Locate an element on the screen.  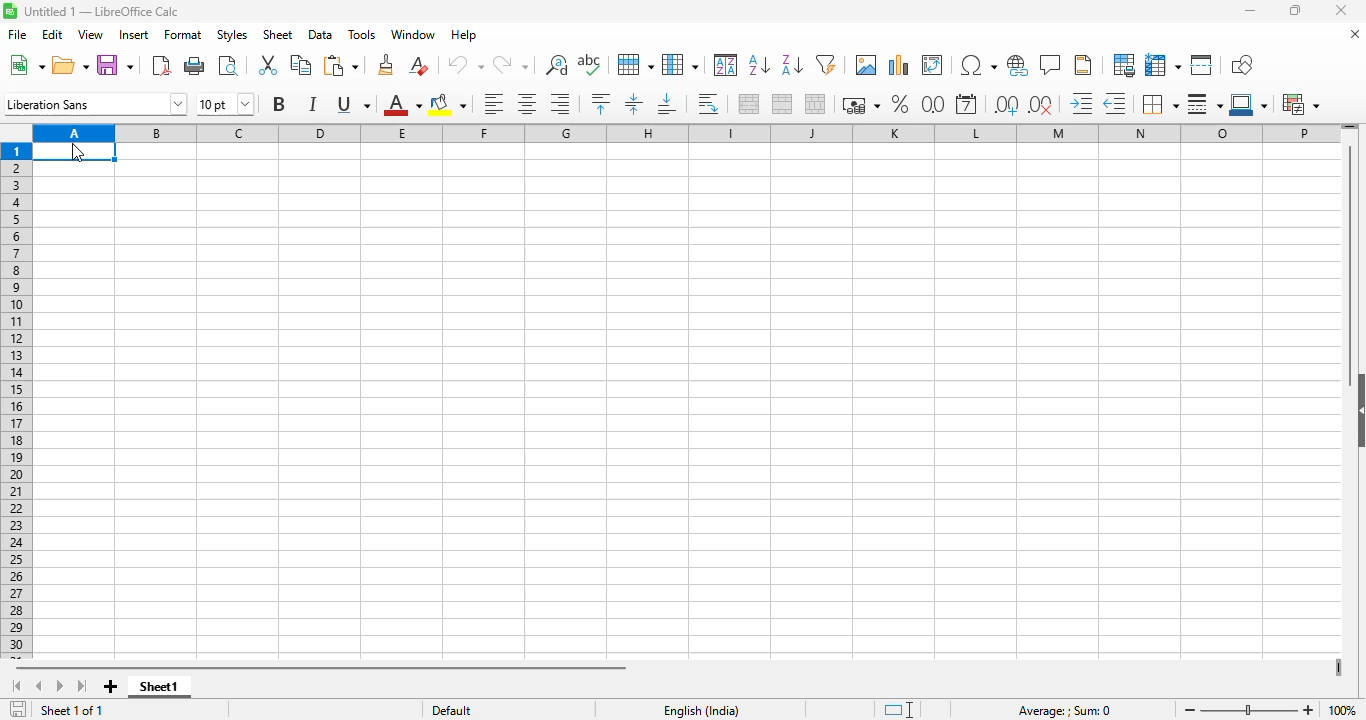
vertical scroll bar is located at coordinates (1351, 256).